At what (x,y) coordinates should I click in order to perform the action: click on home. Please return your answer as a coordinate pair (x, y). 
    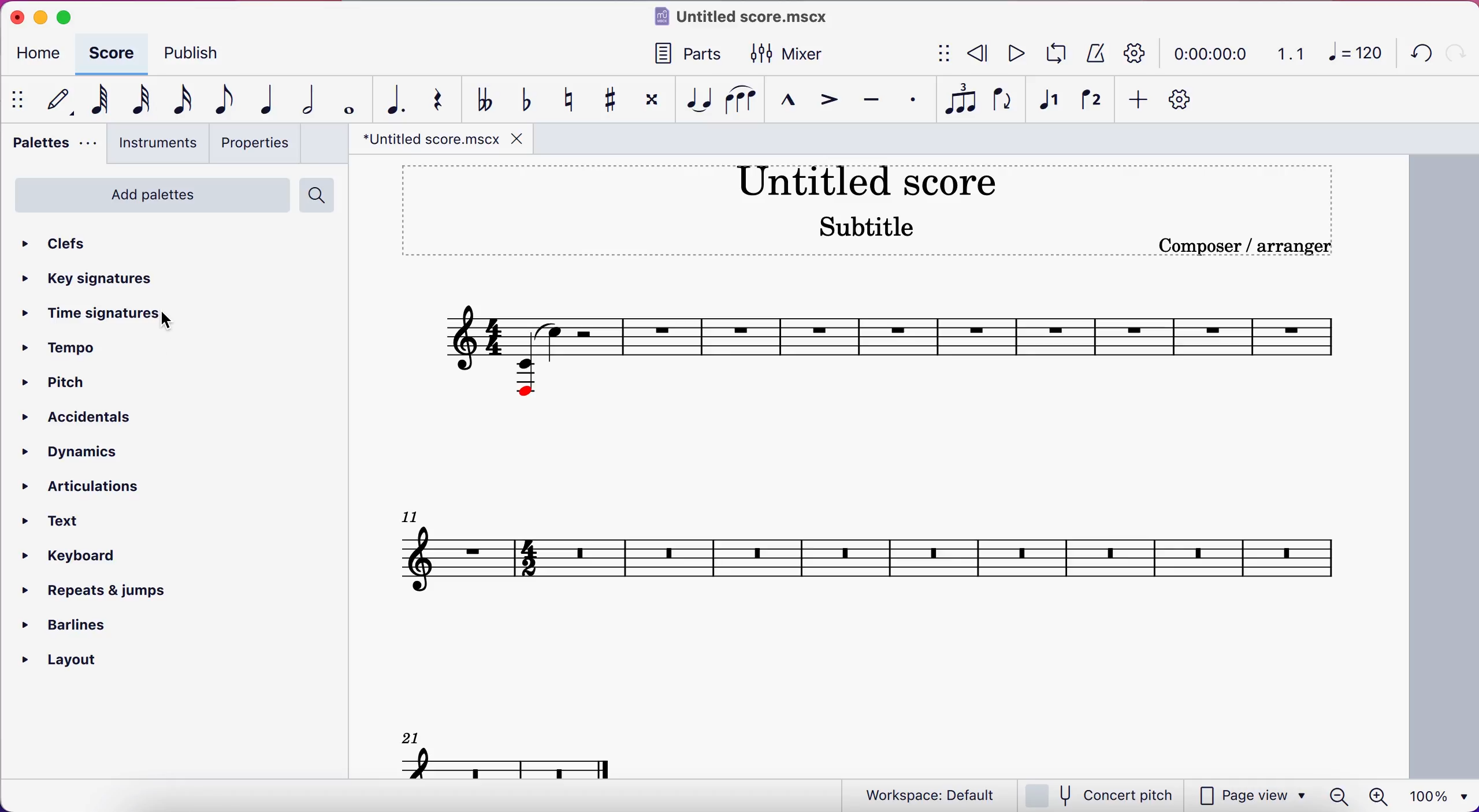
    Looking at the image, I should click on (43, 53).